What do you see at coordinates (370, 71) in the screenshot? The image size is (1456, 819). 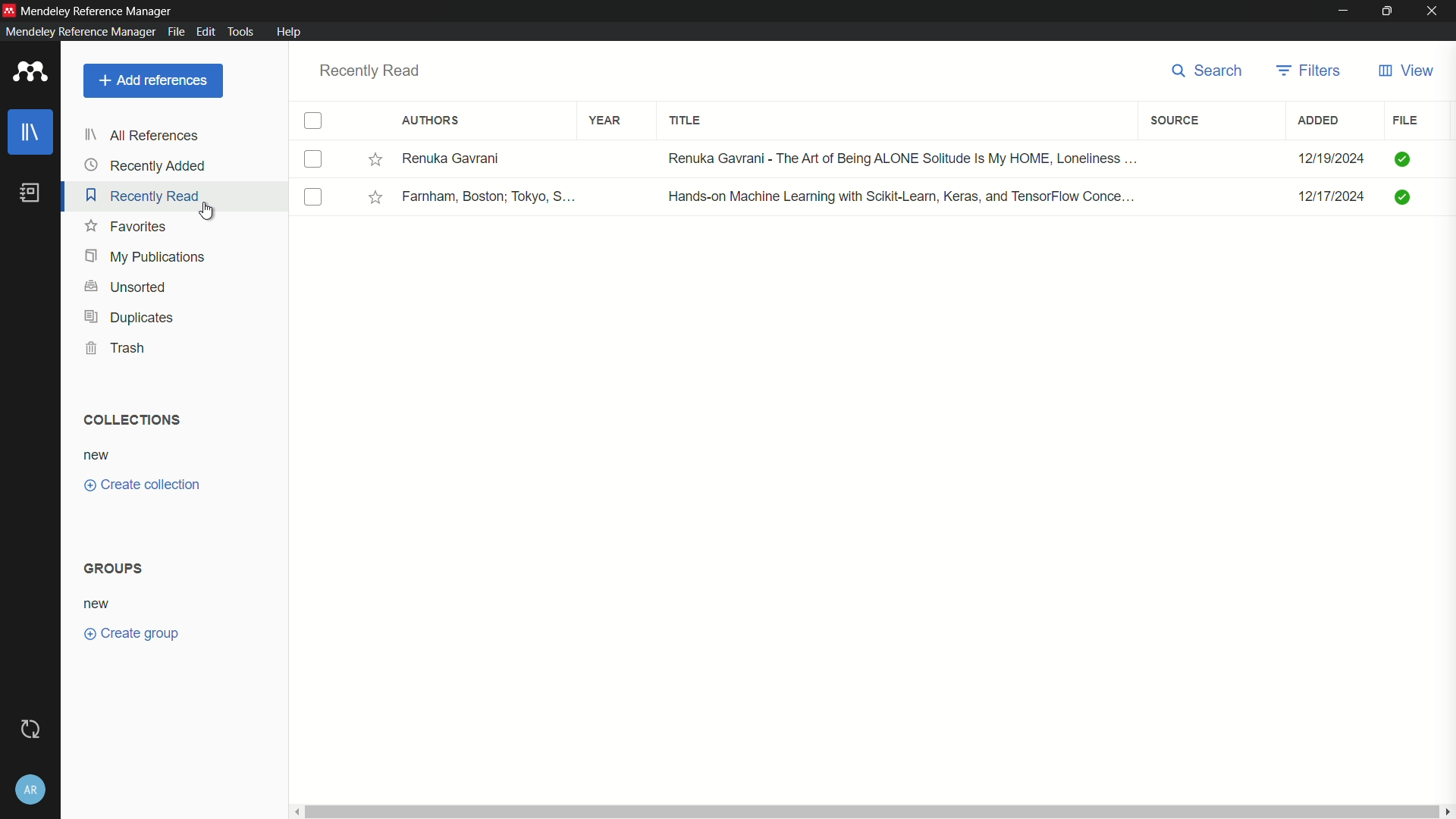 I see `recently read` at bounding box center [370, 71].